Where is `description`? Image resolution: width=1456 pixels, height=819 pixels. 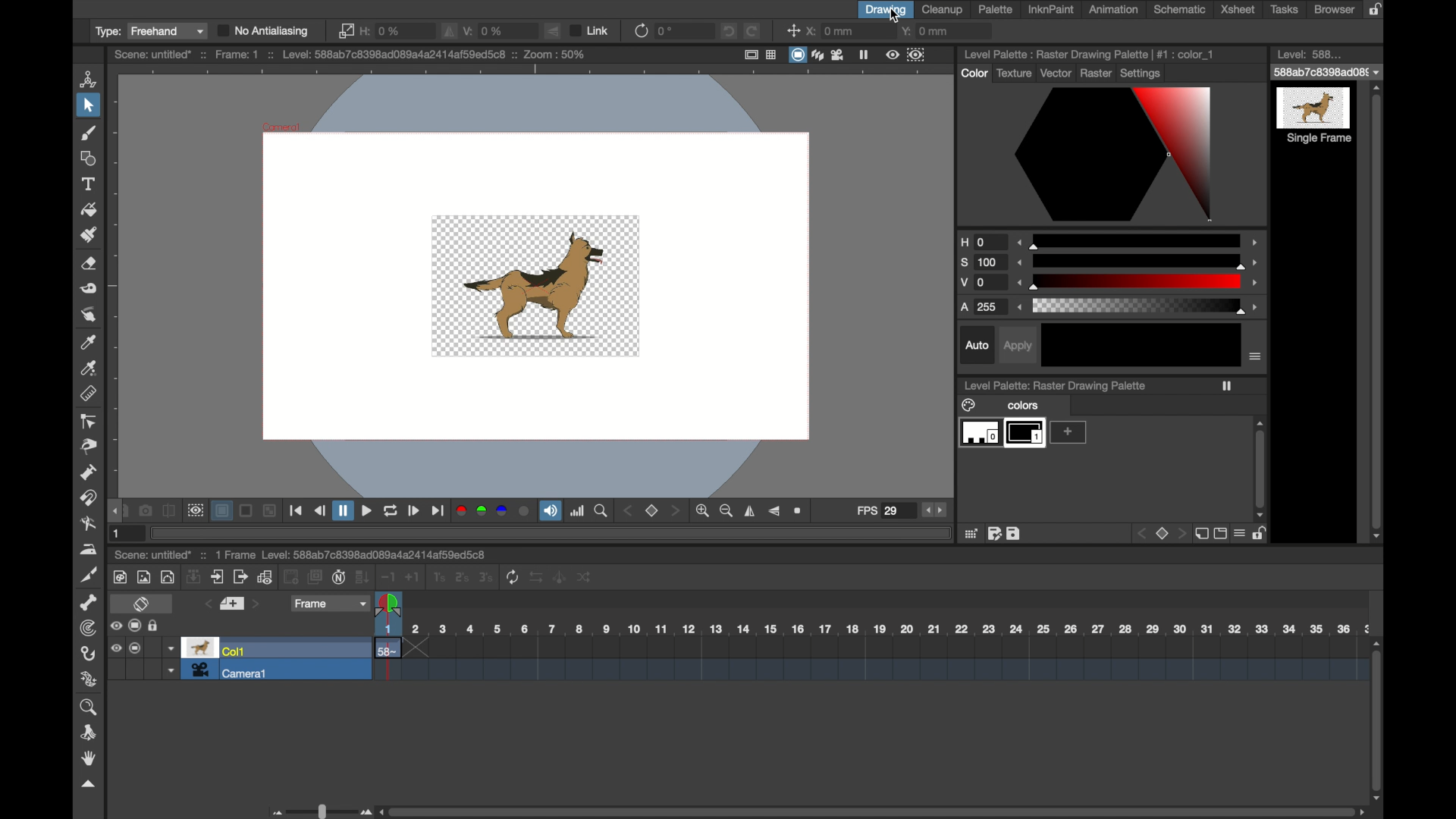
description is located at coordinates (1088, 55).